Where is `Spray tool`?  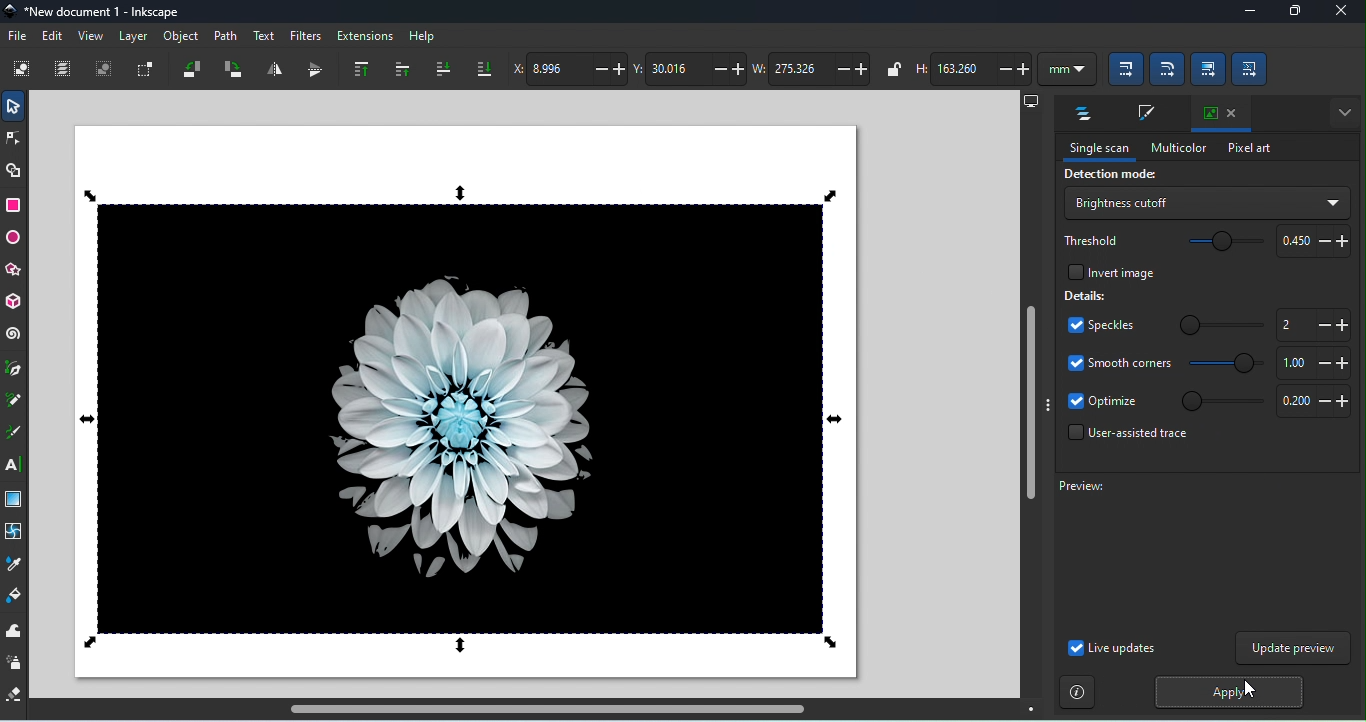 Spray tool is located at coordinates (15, 663).